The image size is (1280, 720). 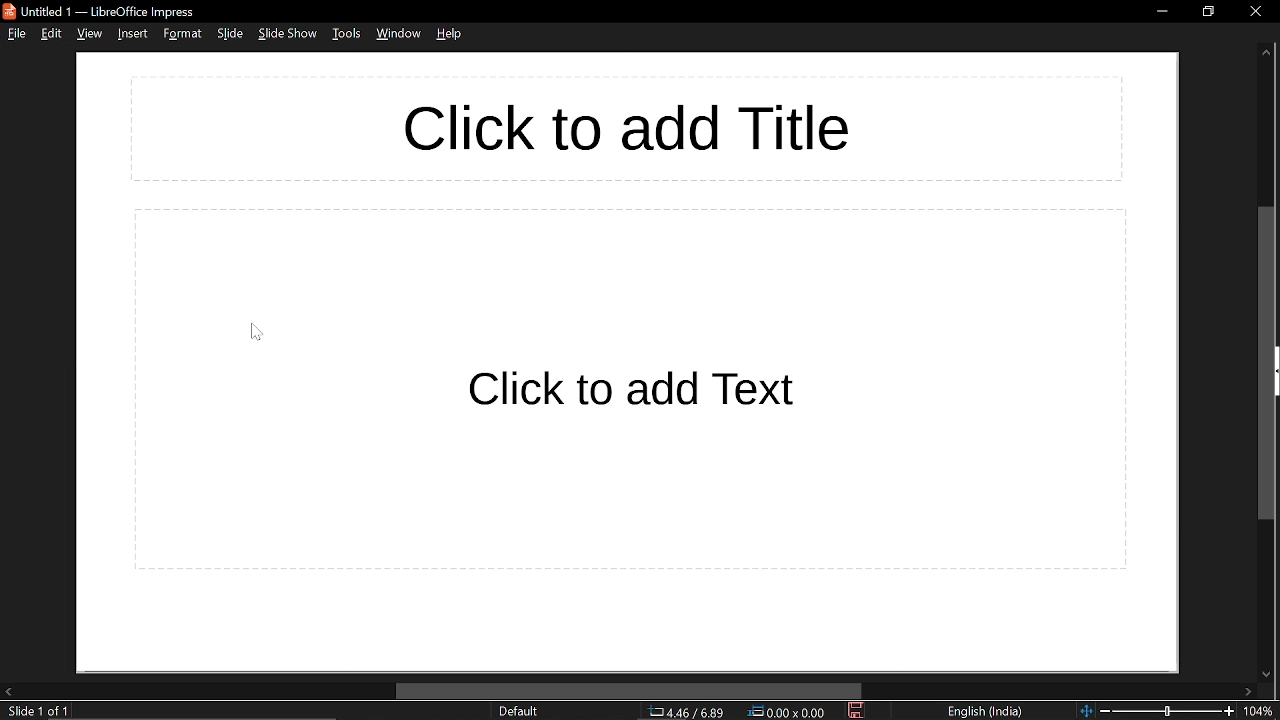 What do you see at coordinates (1251, 14) in the screenshot?
I see `close` at bounding box center [1251, 14].